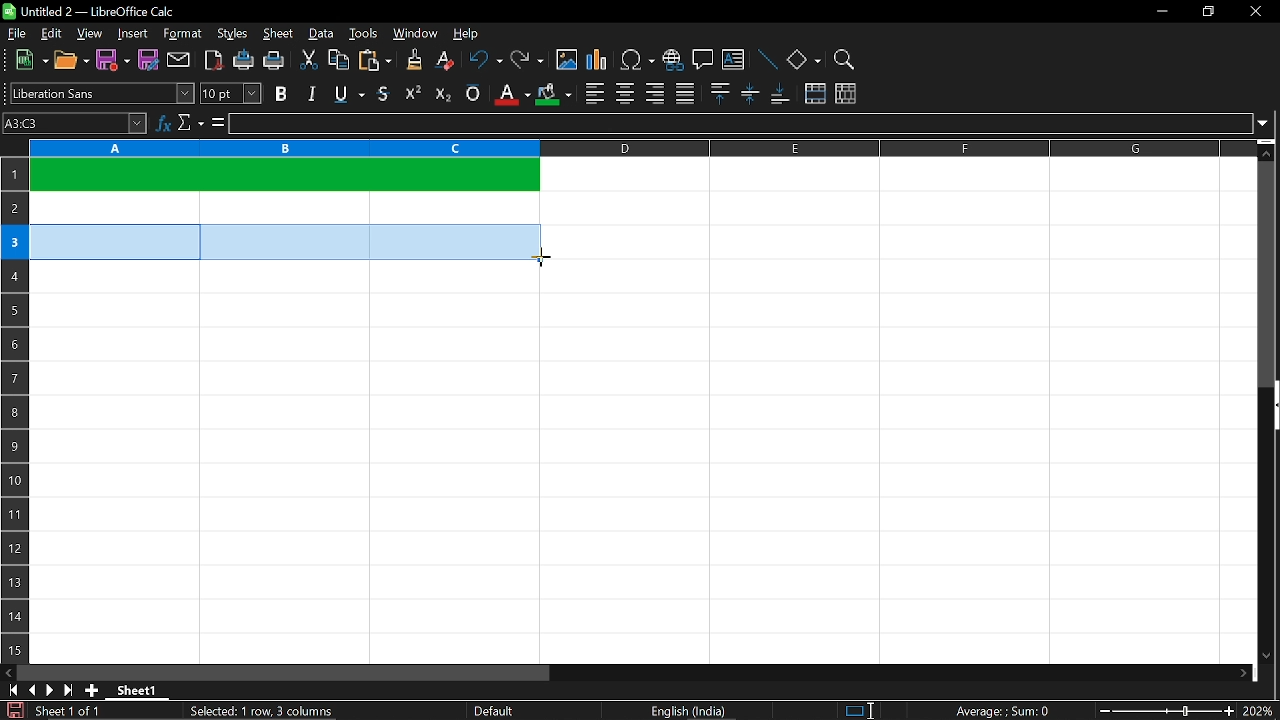 The image size is (1280, 720). What do you see at coordinates (1207, 10) in the screenshot?
I see `restore down` at bounding box center [1207, 10].